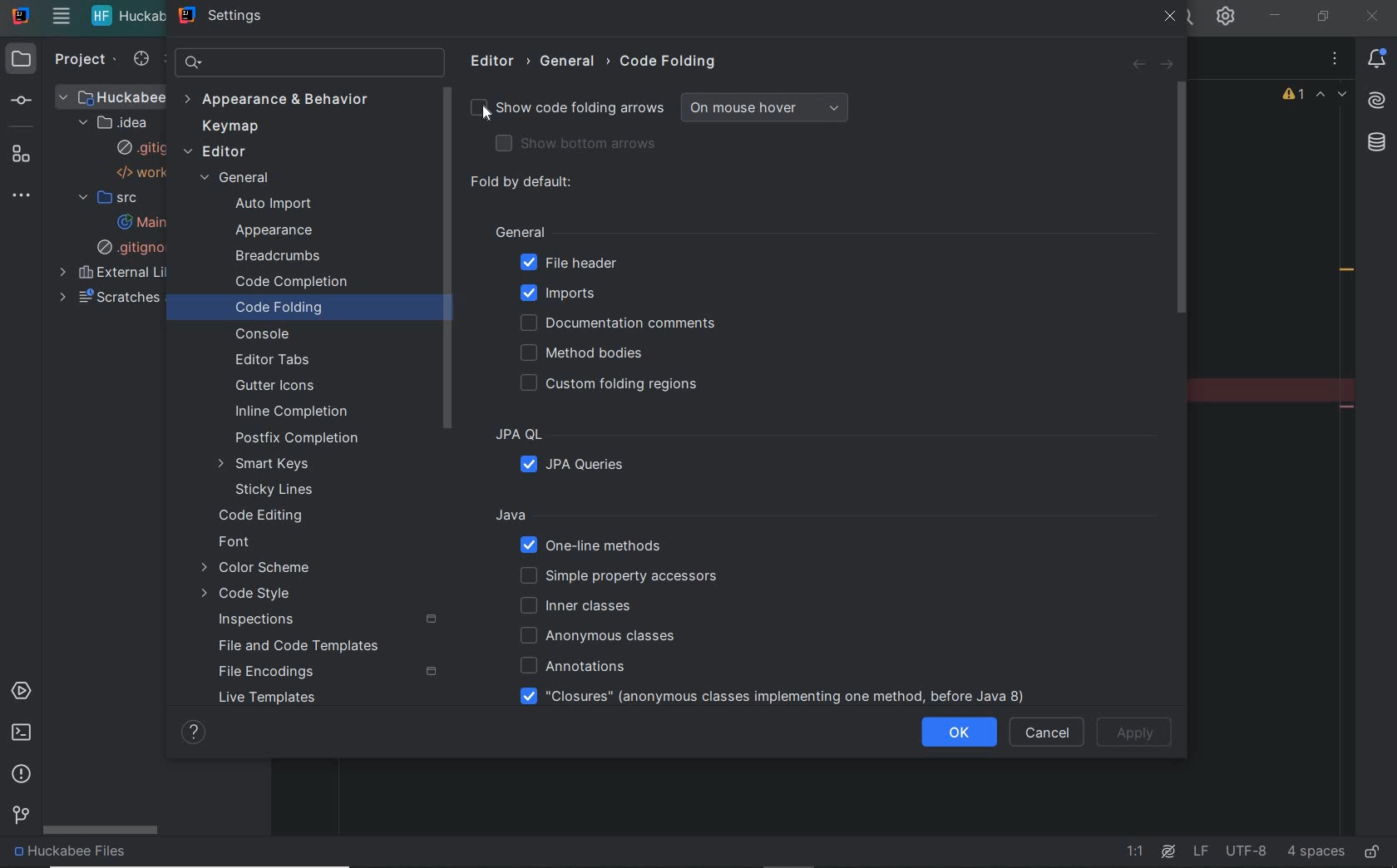 Image resolution: width=1397 pixels, height=868 pixels. Describe the element at coordinates (61, 18) in the screenshot. I see `main menu` at that location.